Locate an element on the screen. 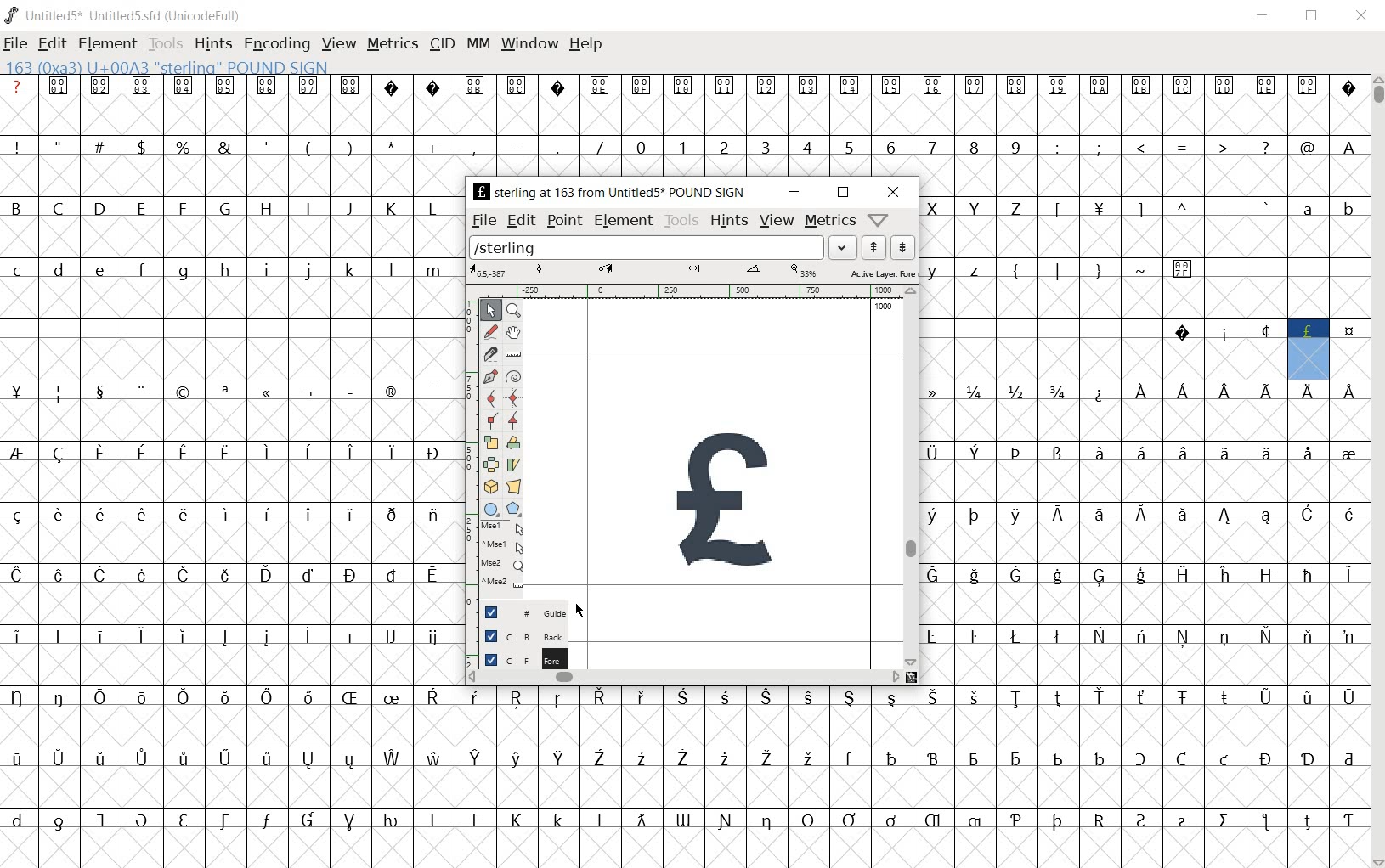 Image resolution: width=1385 pixels, height=868 pixels. D is located at coordinates (99, 207).